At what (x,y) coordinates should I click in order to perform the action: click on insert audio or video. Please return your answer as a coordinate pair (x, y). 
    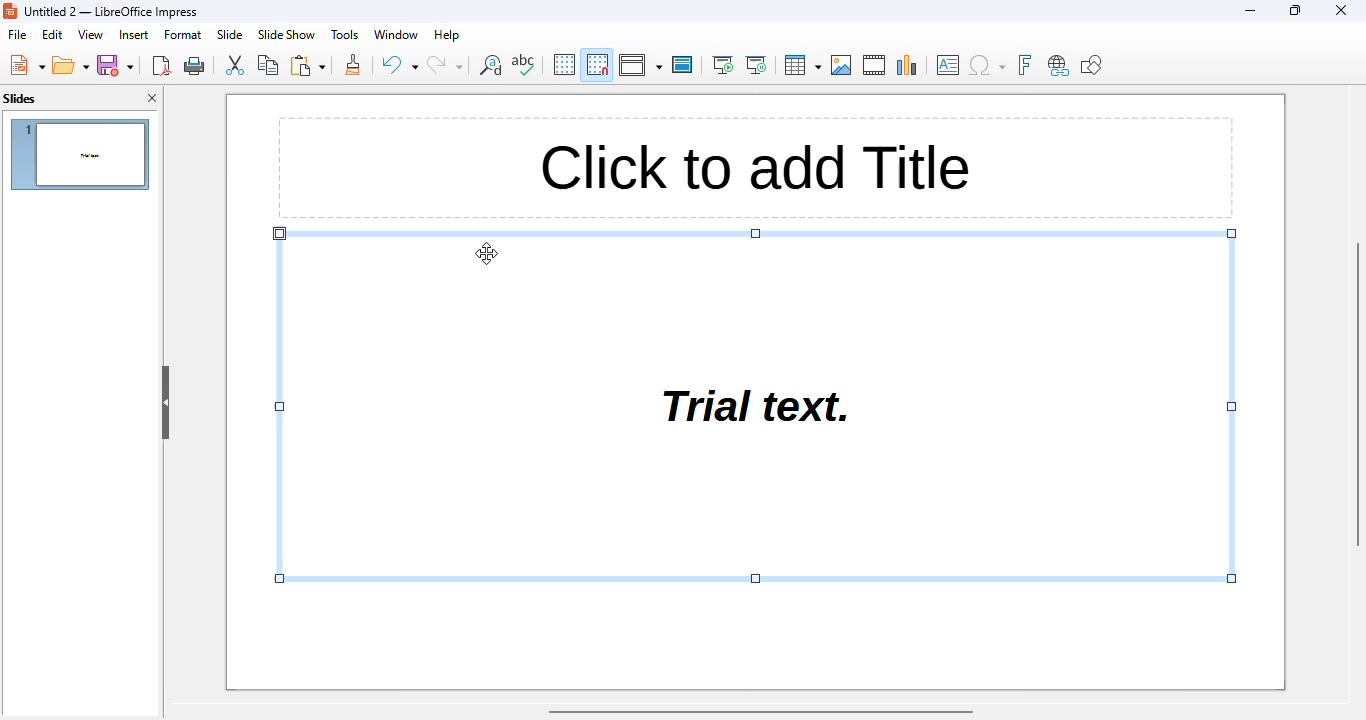
    Looking at the image, I should click on (875, 65).